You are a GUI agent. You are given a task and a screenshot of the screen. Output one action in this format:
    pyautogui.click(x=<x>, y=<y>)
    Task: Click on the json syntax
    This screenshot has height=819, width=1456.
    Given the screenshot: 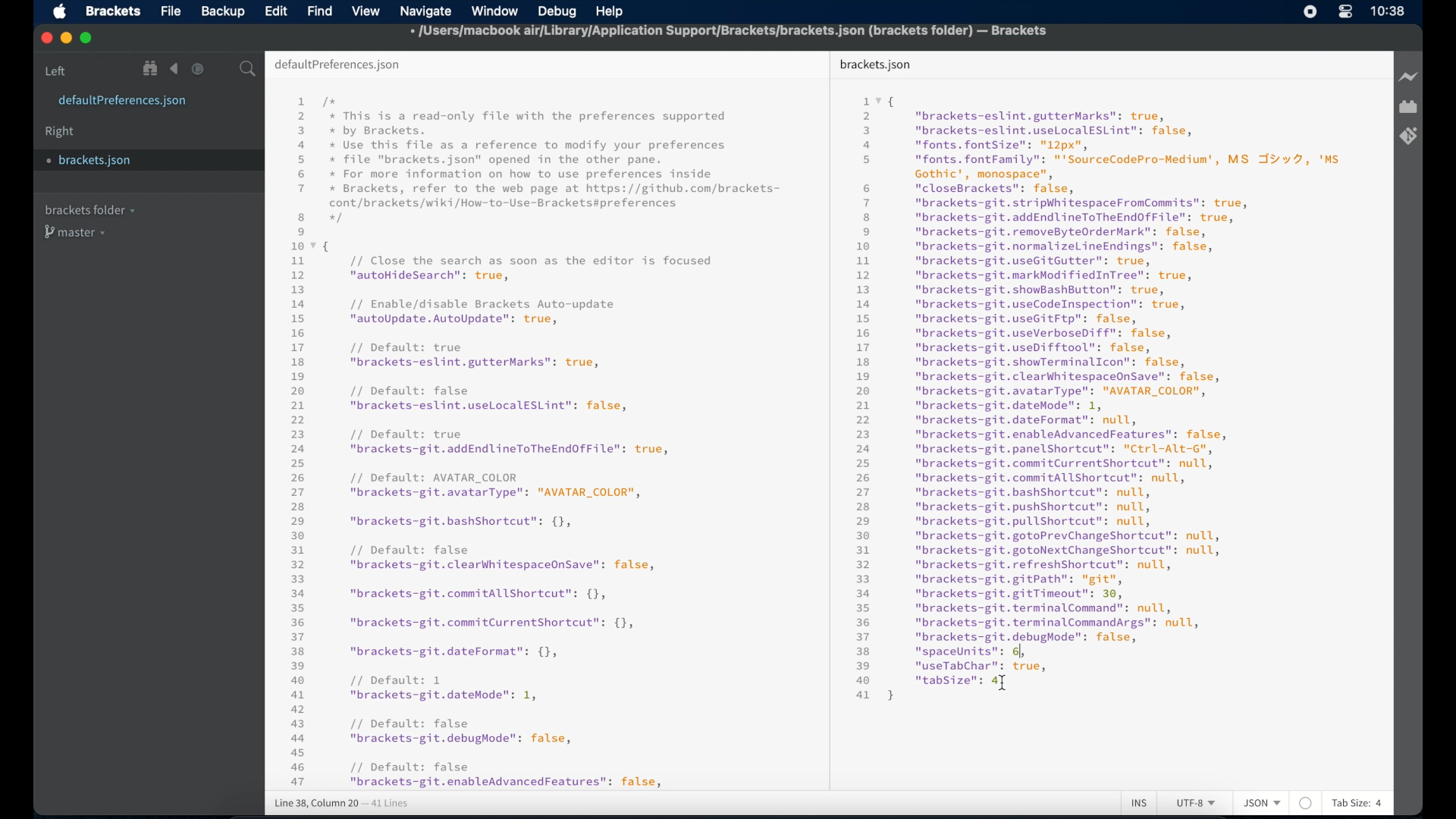 What is the action you would take?
    pyautogui.click(x=1094, y=403)
    